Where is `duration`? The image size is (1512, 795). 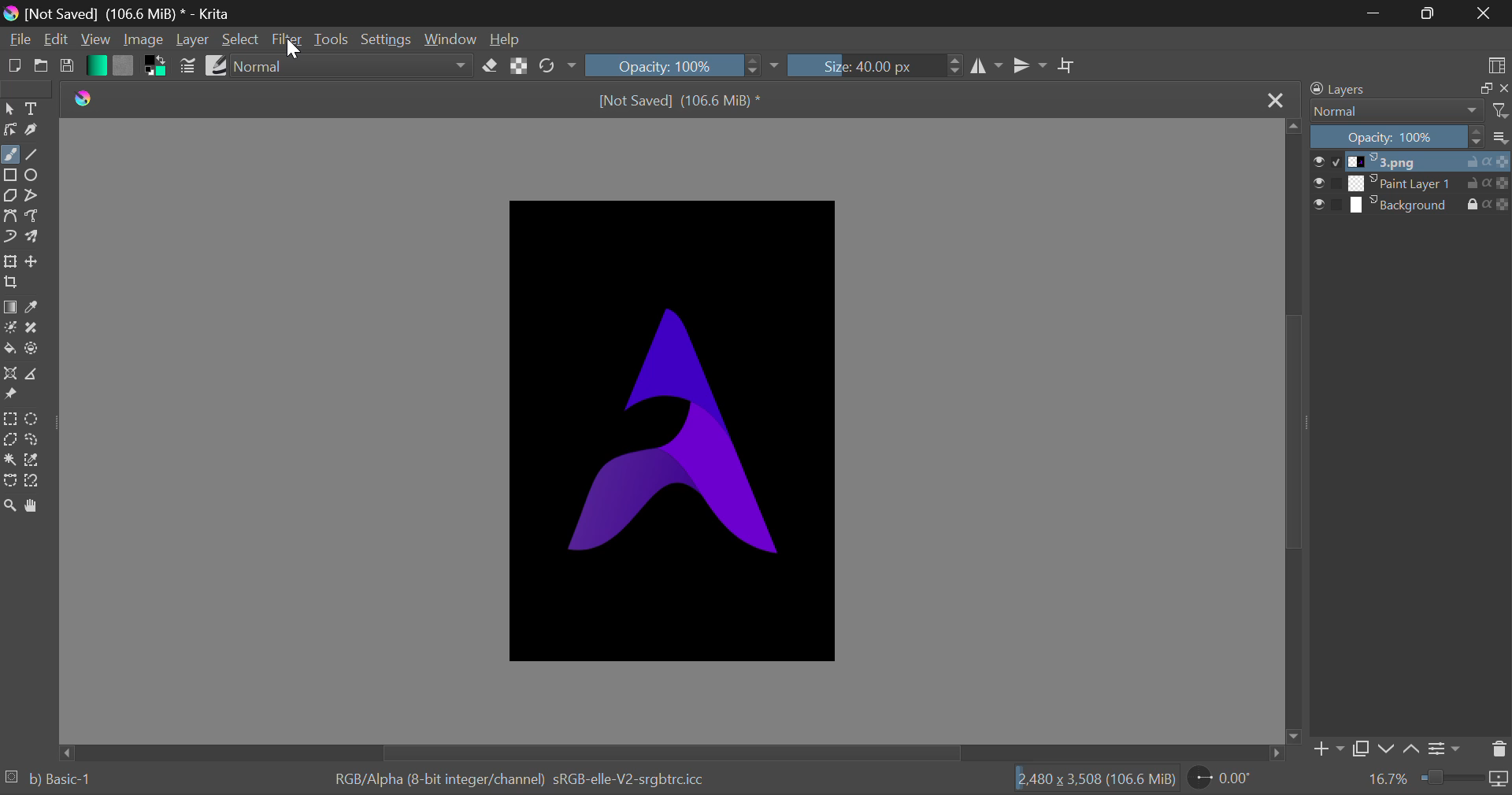 duration is located at coordinates (1463, 780).